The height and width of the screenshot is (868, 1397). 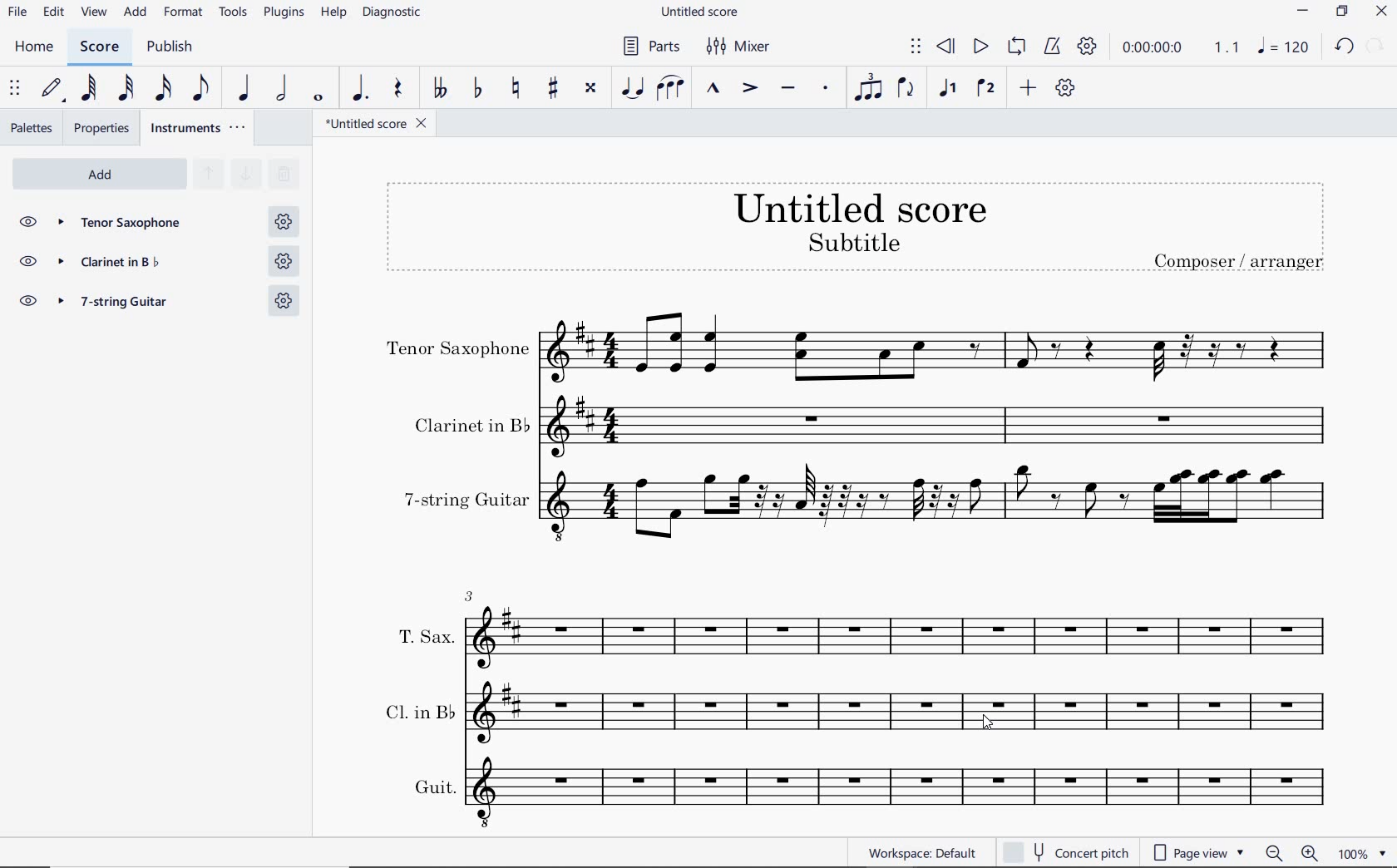 What do you see at coordinates (245, 88) in the screenshot?
I see `QUARTER NOTE` at bounding box center [245, 88].